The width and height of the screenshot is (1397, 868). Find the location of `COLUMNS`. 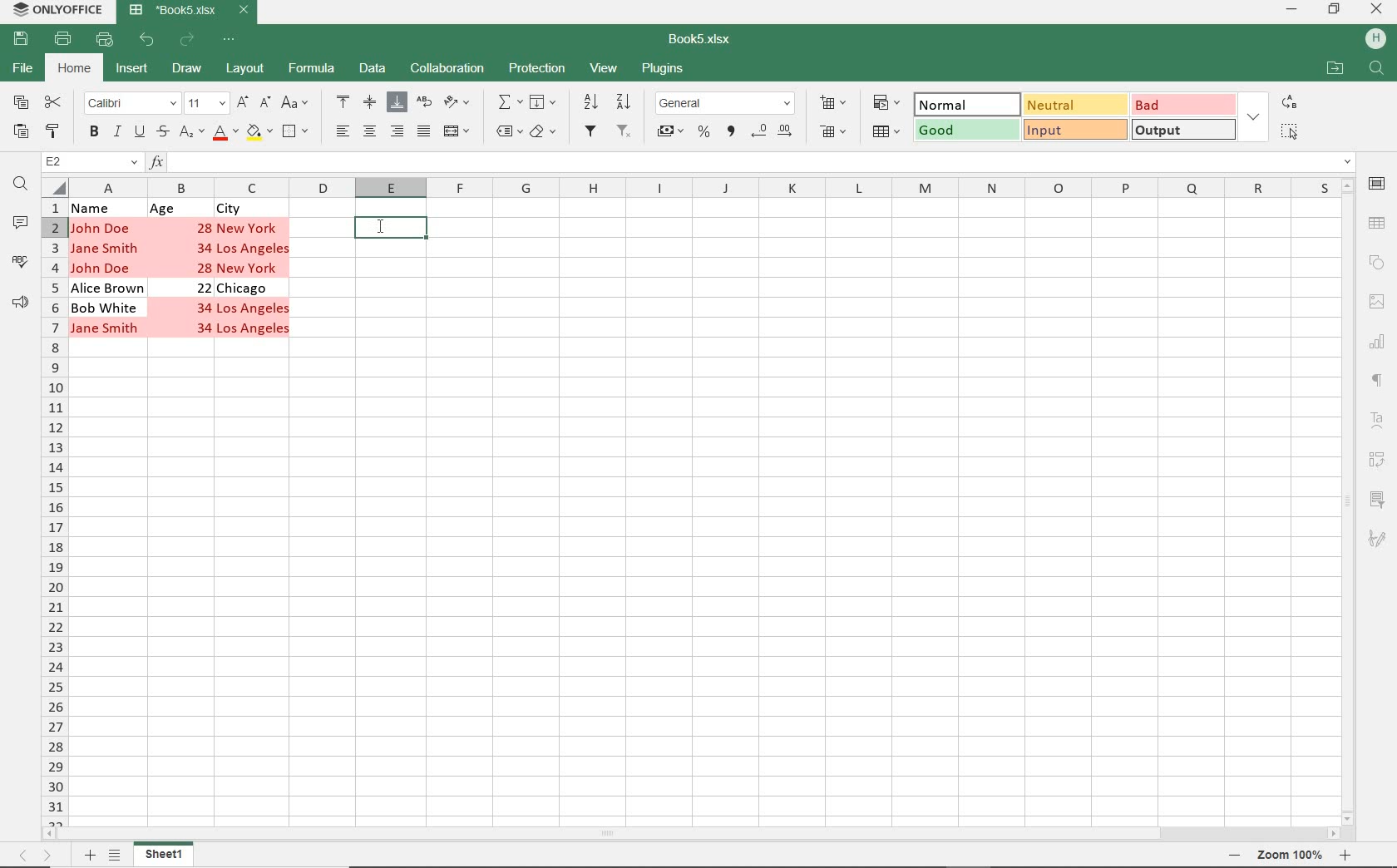

COLUMNS is located at coordinates (703, 187).